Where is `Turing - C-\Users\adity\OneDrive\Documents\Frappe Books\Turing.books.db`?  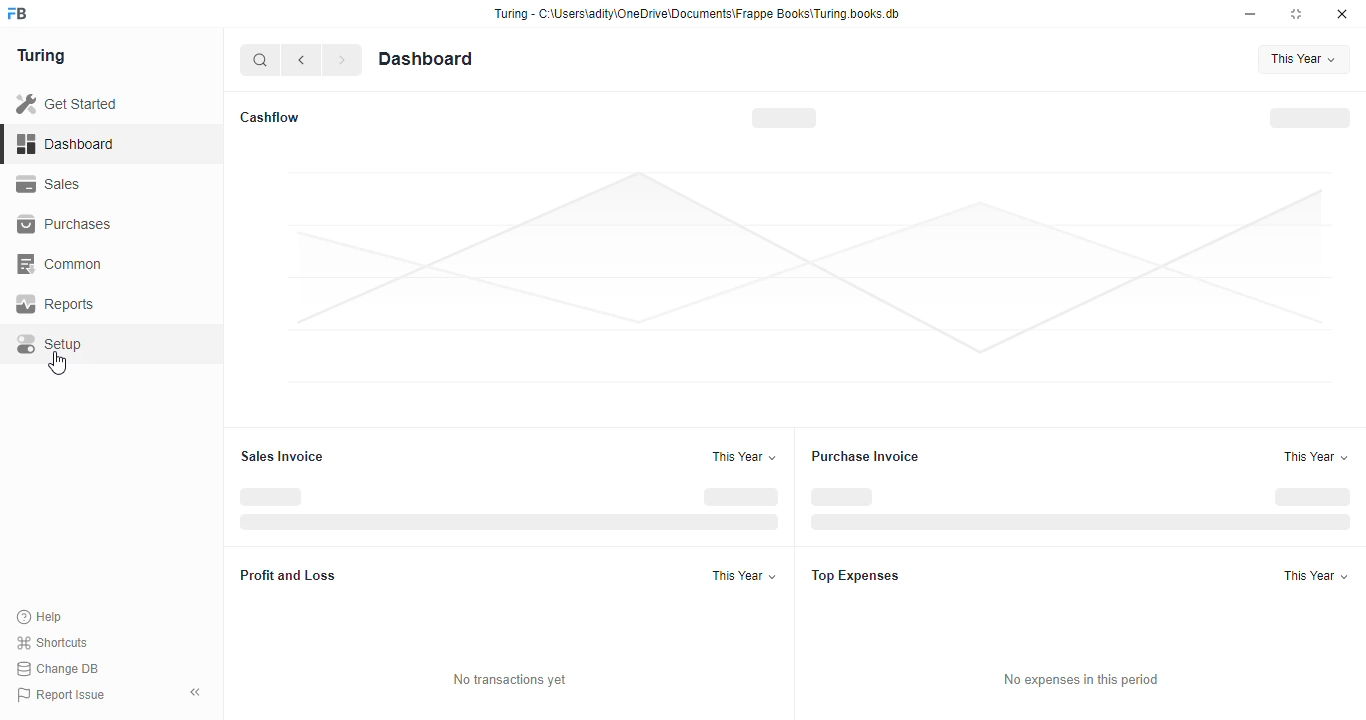 Turing - C-\Users\adity\OneDrive\Documents\Frappe Books\Turing.books.db is located at coordinates (698, 12).